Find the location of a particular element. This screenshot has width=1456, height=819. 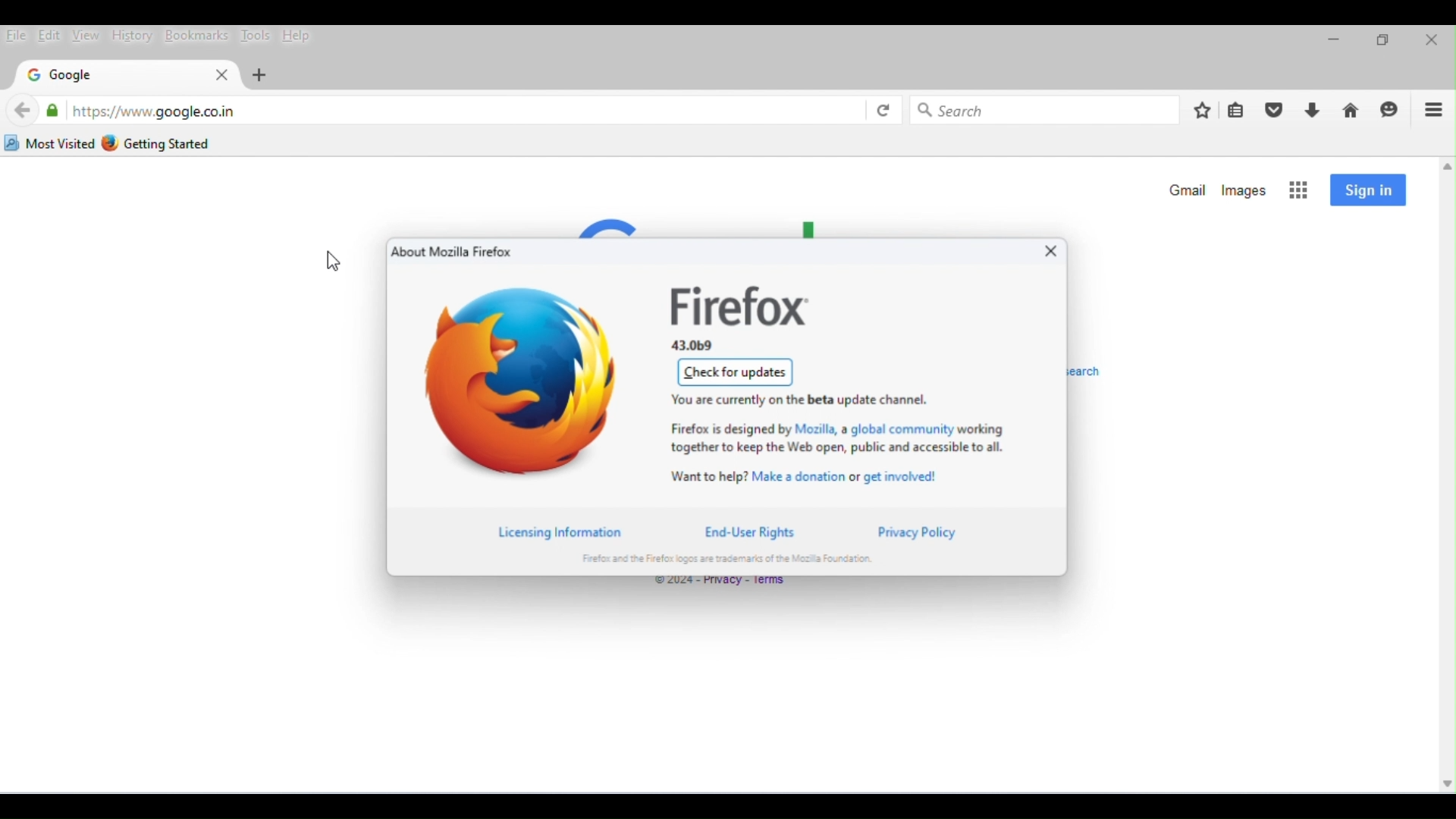

save to pocket is located at coordinates (1276, 110).